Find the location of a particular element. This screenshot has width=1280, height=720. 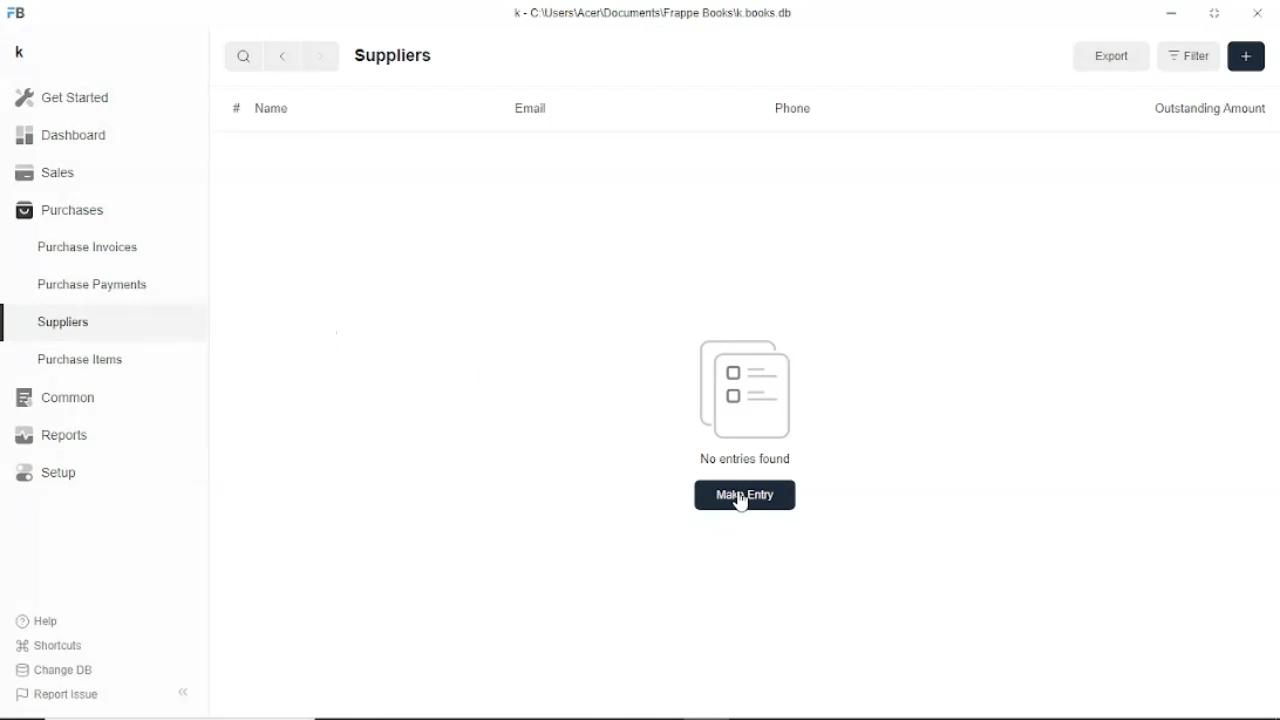

Name is located at coordinates (271, 109).